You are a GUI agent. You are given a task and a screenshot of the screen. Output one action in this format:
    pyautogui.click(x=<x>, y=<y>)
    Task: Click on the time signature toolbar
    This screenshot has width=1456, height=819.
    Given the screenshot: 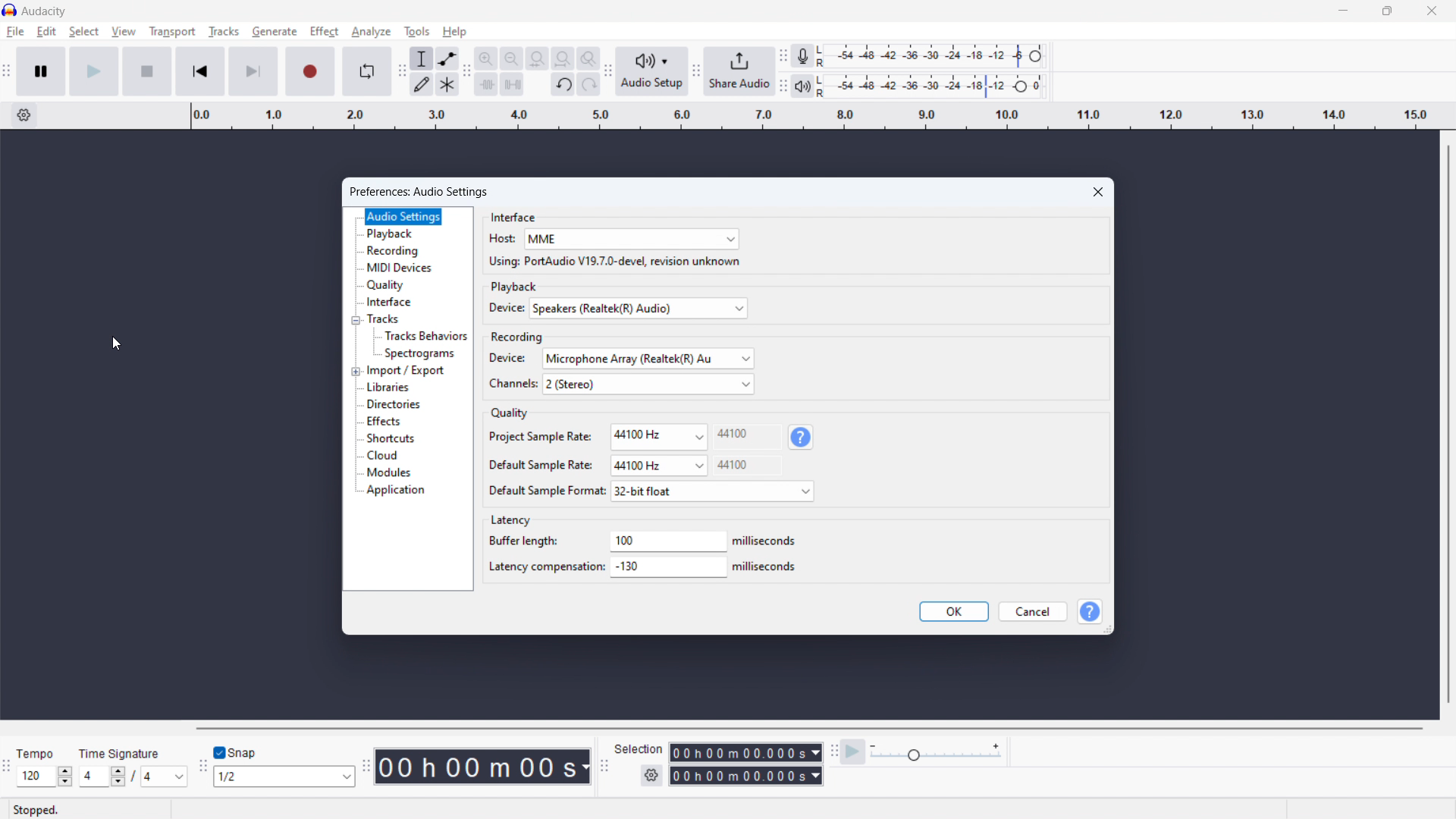 What is the action you would take?
    pyautogui.click(x=6, y=767)
    